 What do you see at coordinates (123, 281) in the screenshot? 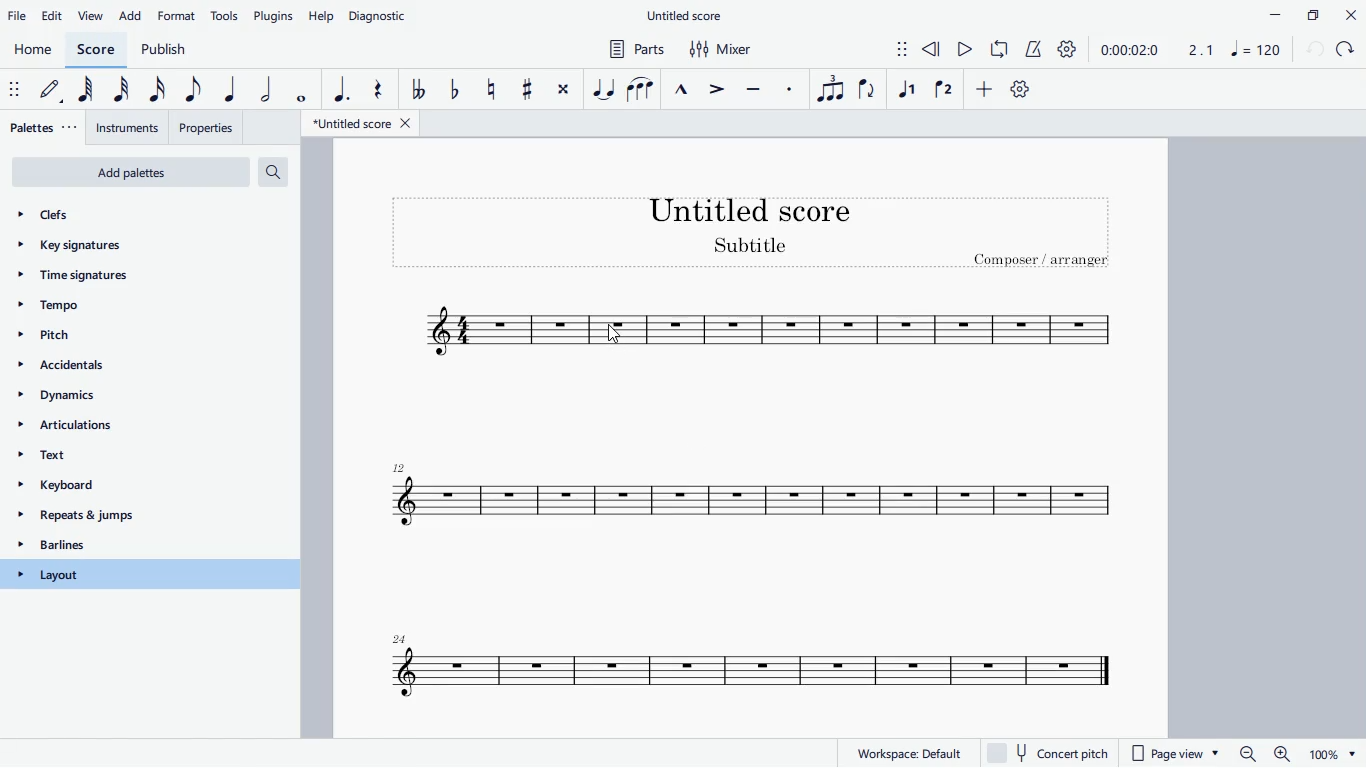
I see `time signatures` at bounding box center [123, 281].